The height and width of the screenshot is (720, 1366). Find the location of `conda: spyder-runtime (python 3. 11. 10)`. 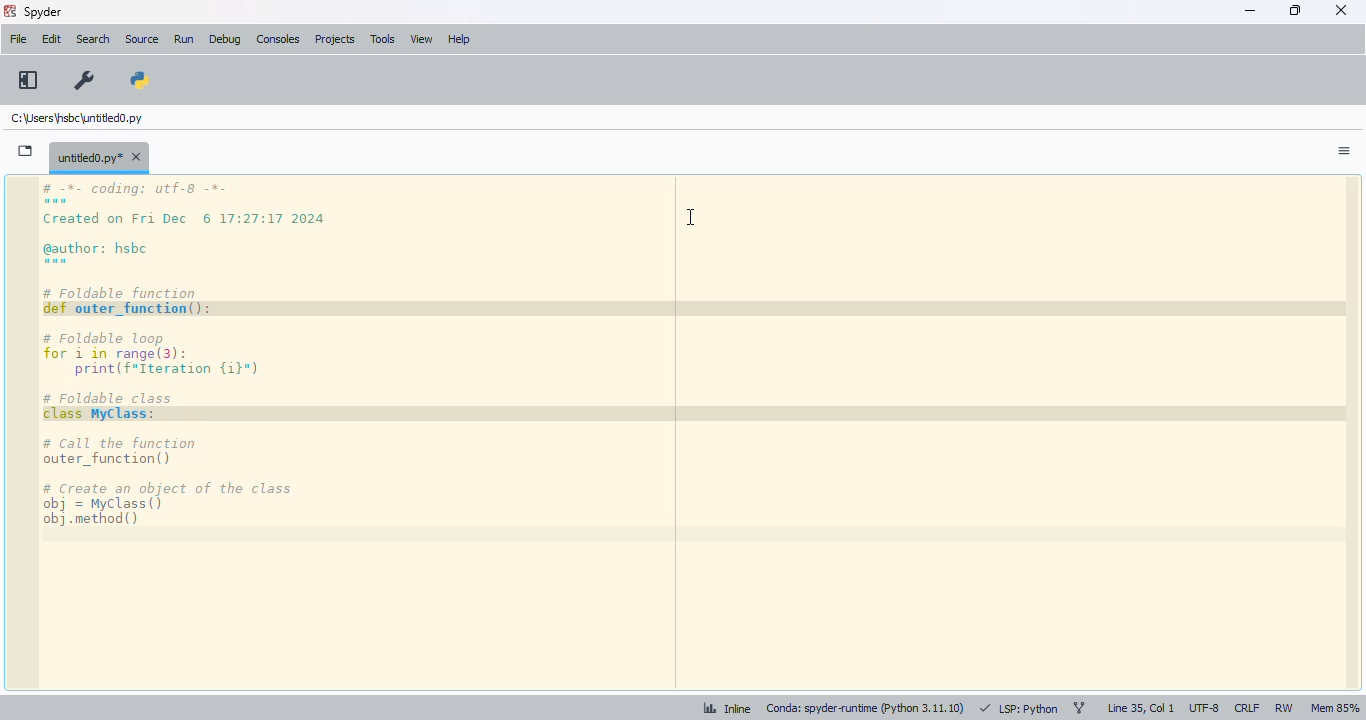

conda: spyder-runtime (python 3. 11. 10) is located at coordinates (869, 710).